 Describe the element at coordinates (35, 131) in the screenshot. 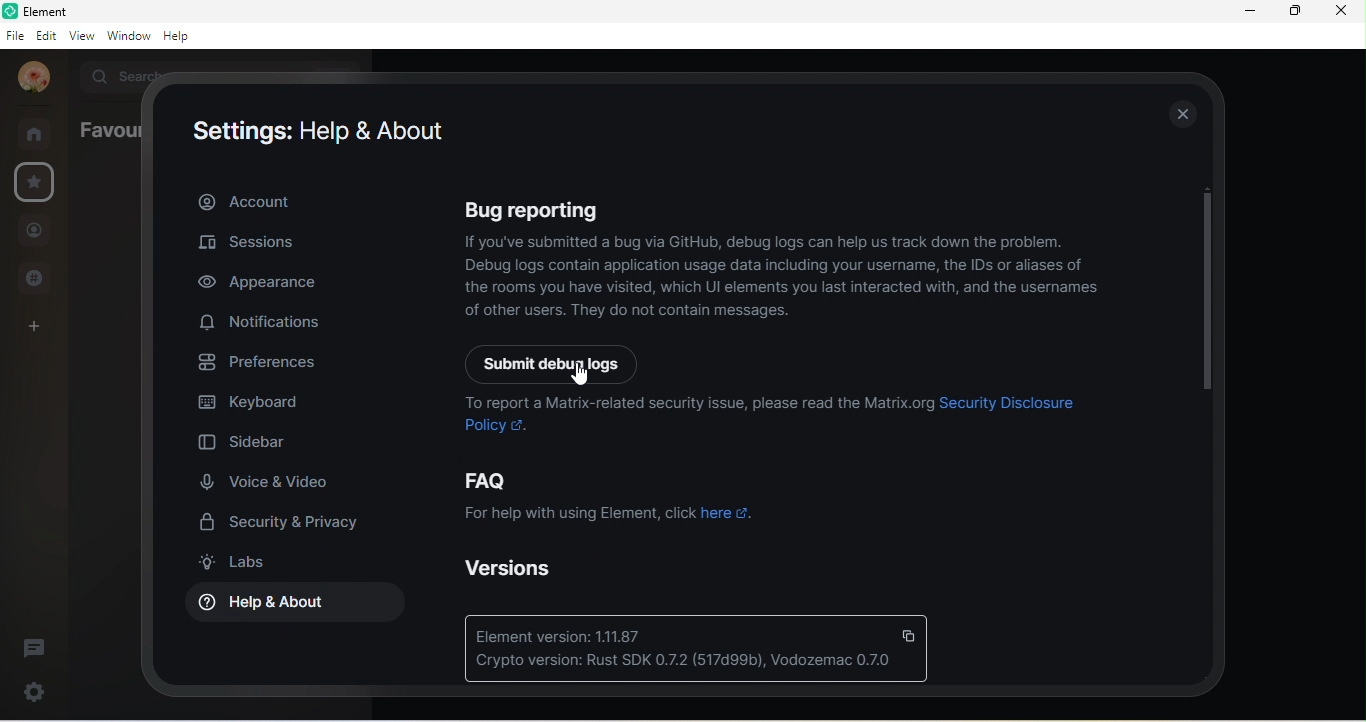

I see `room` at that location.